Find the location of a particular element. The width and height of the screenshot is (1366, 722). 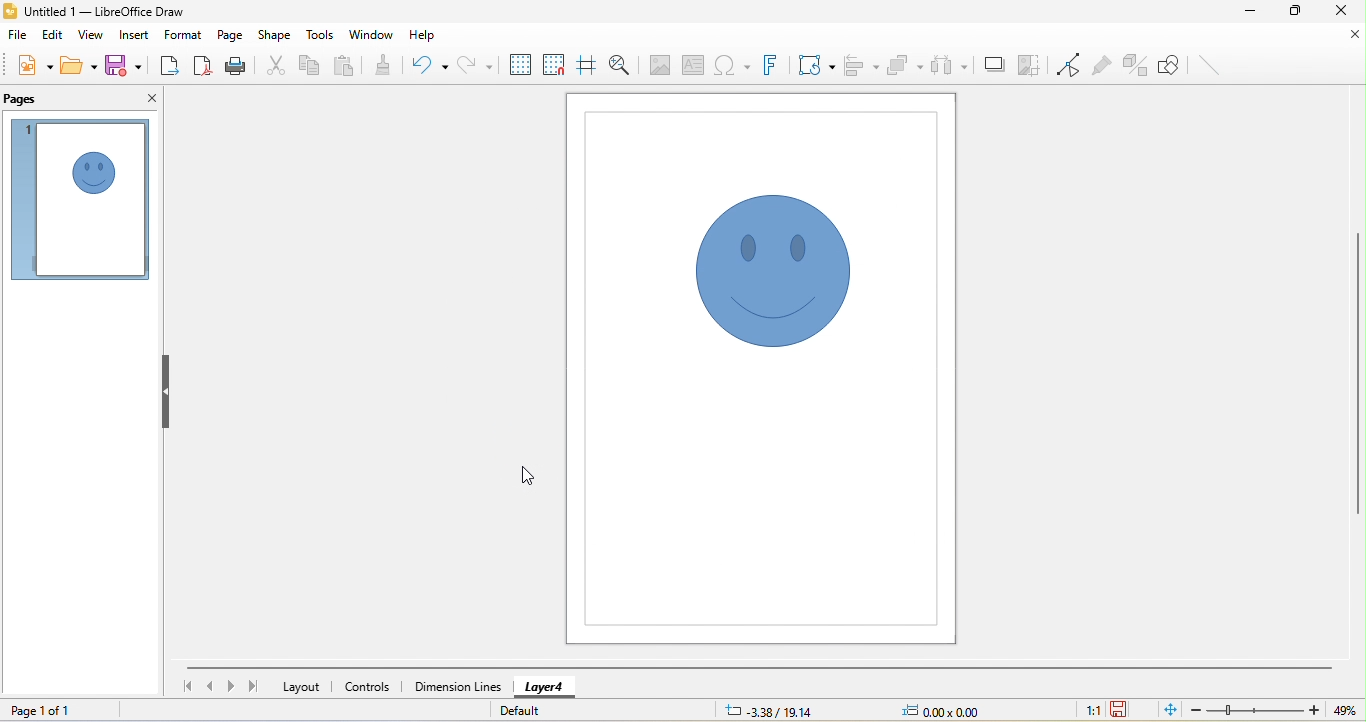

horizontal scroll bar is located at coordinates (761, 667).